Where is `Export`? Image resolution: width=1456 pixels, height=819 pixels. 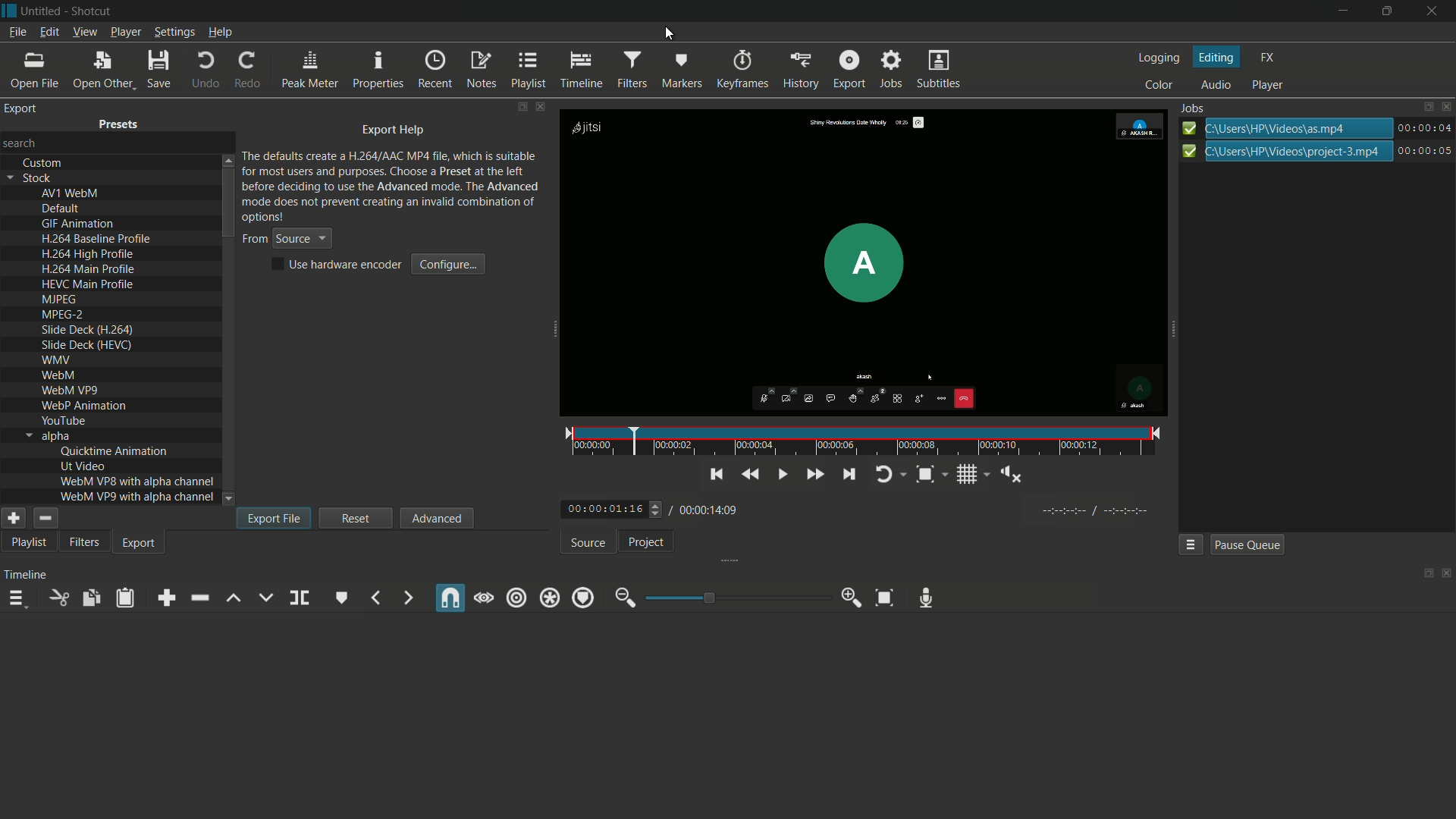 Export is located at coordinates (849, 68).